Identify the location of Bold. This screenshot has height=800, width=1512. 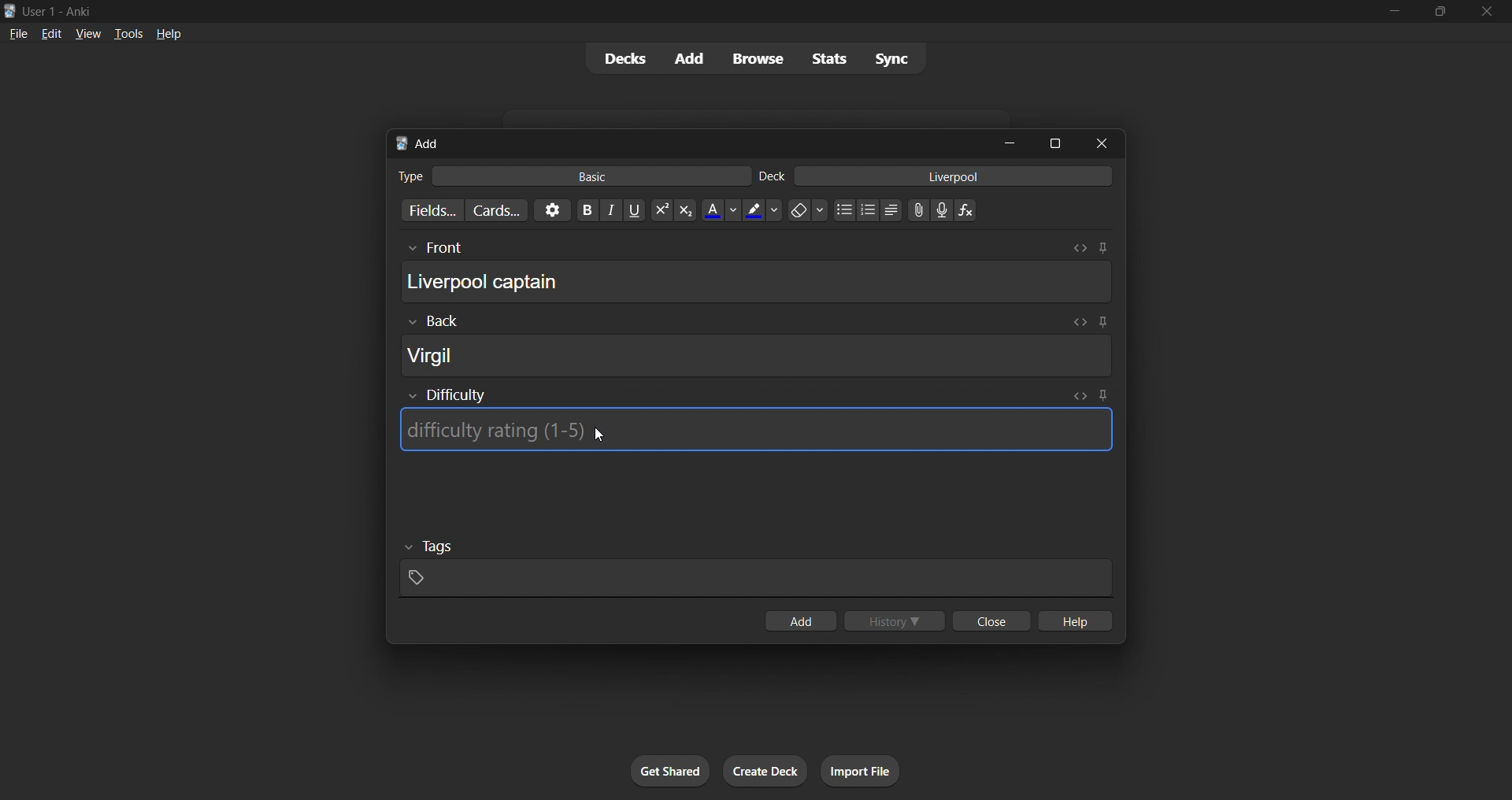
(587, 210).